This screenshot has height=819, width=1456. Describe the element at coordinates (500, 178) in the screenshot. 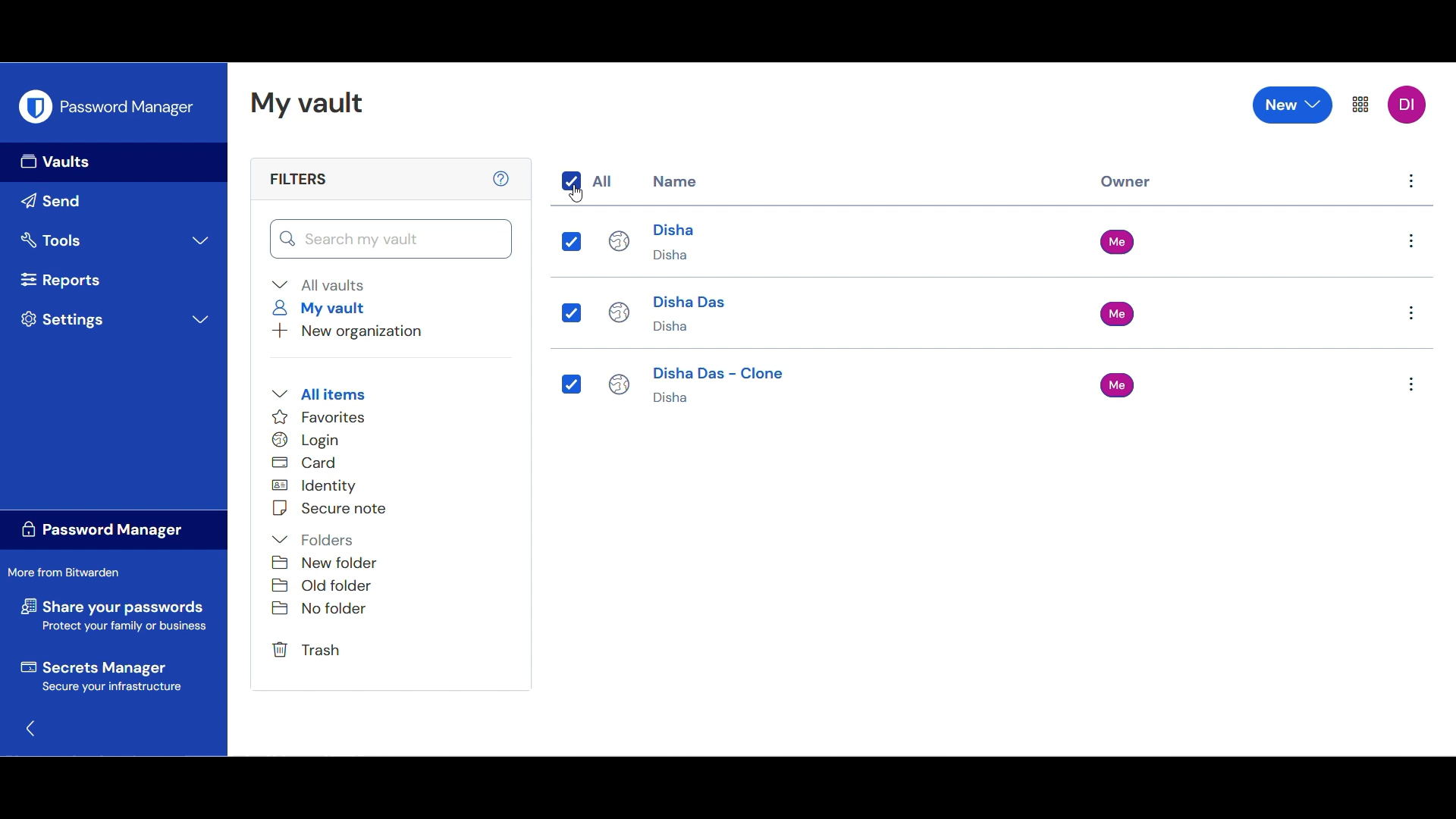

I see `Learn more` at that location.